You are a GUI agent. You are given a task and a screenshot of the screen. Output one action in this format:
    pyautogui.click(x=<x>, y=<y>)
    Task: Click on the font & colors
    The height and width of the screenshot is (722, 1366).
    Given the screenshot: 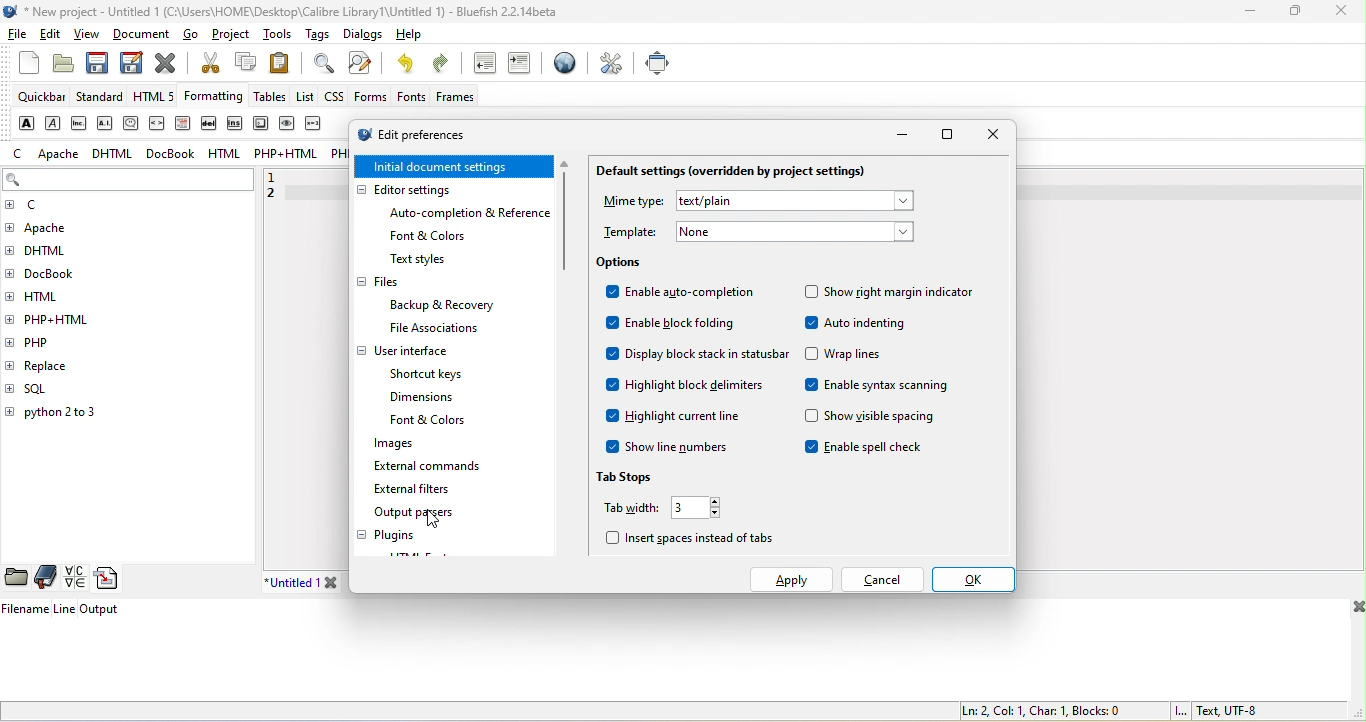 What is the action you would take?
    pyautogui.click(x=432, y=237)
    